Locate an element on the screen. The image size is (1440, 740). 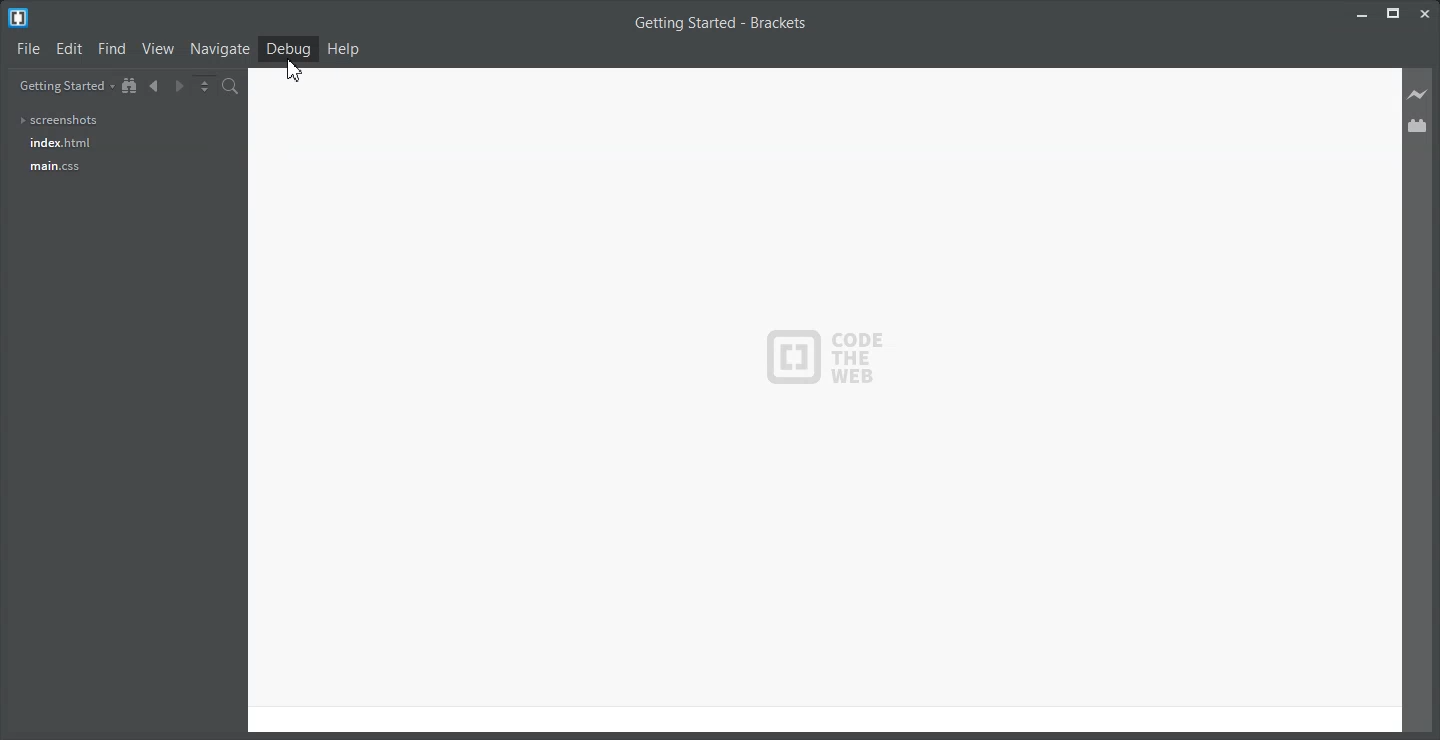
File is located at coordinates (28, 50).